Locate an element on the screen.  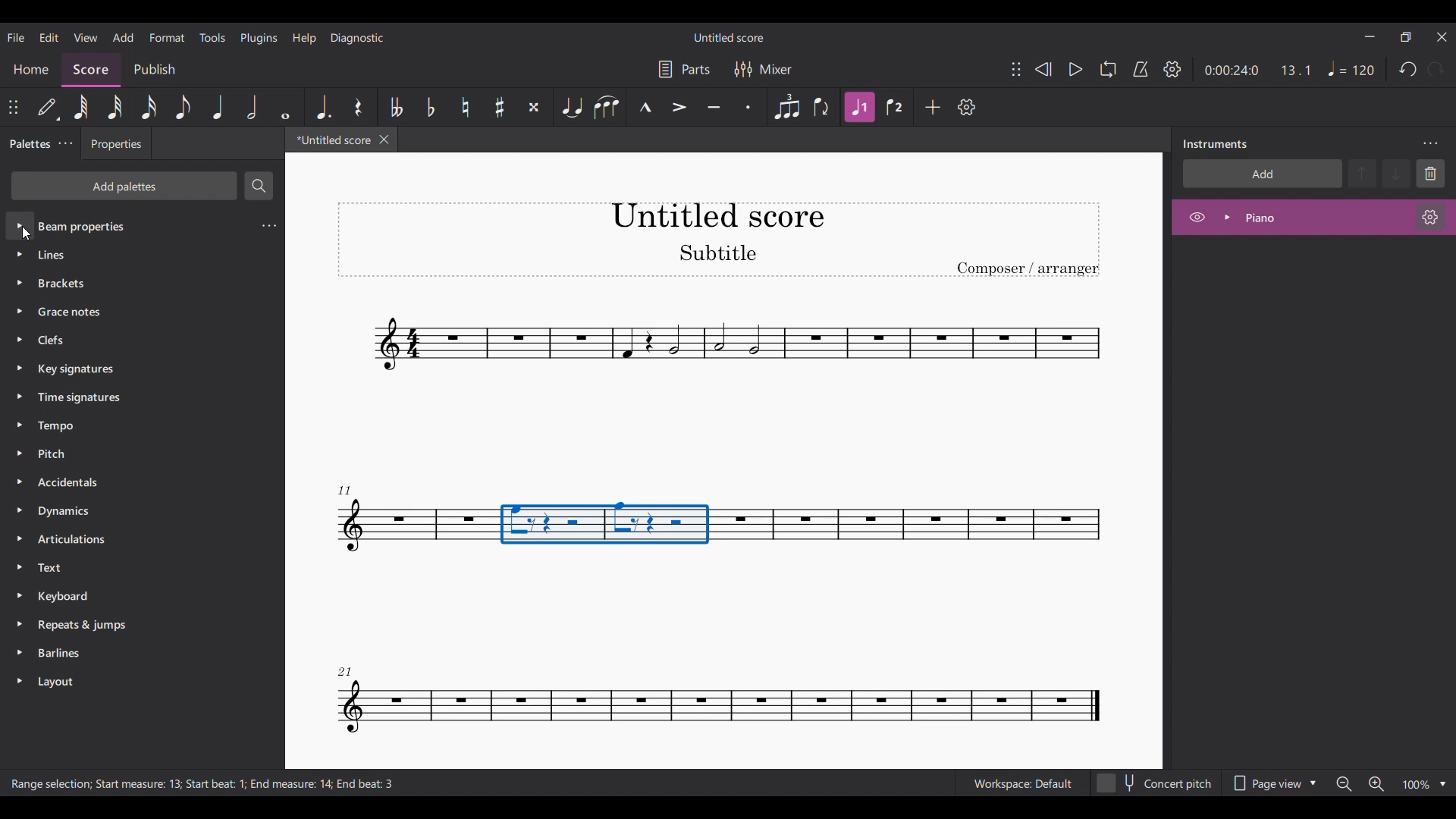
Default is located at coordinates (49, 107).